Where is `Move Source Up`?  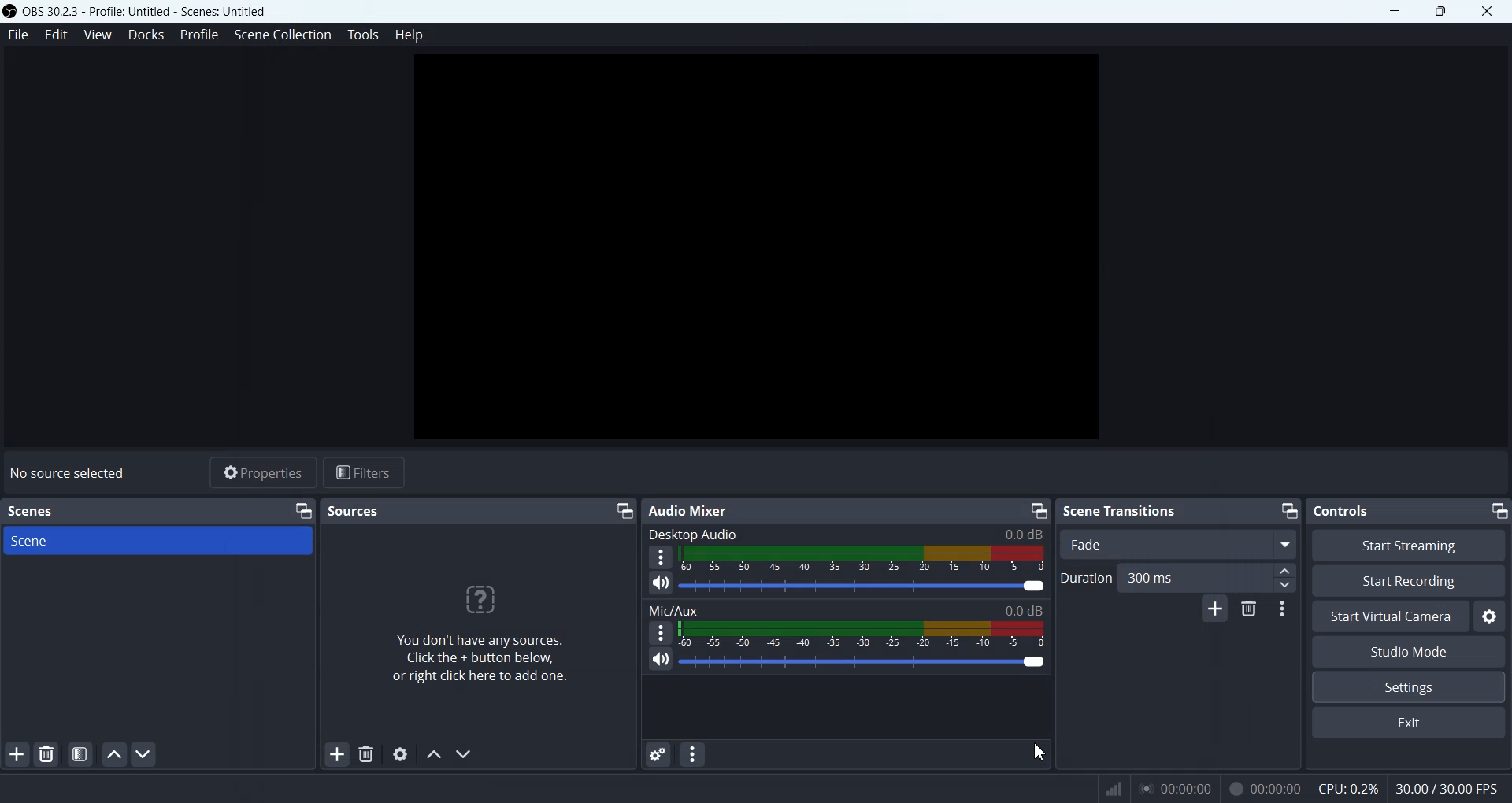
Move Source Up is located at coordinates (432, 756).